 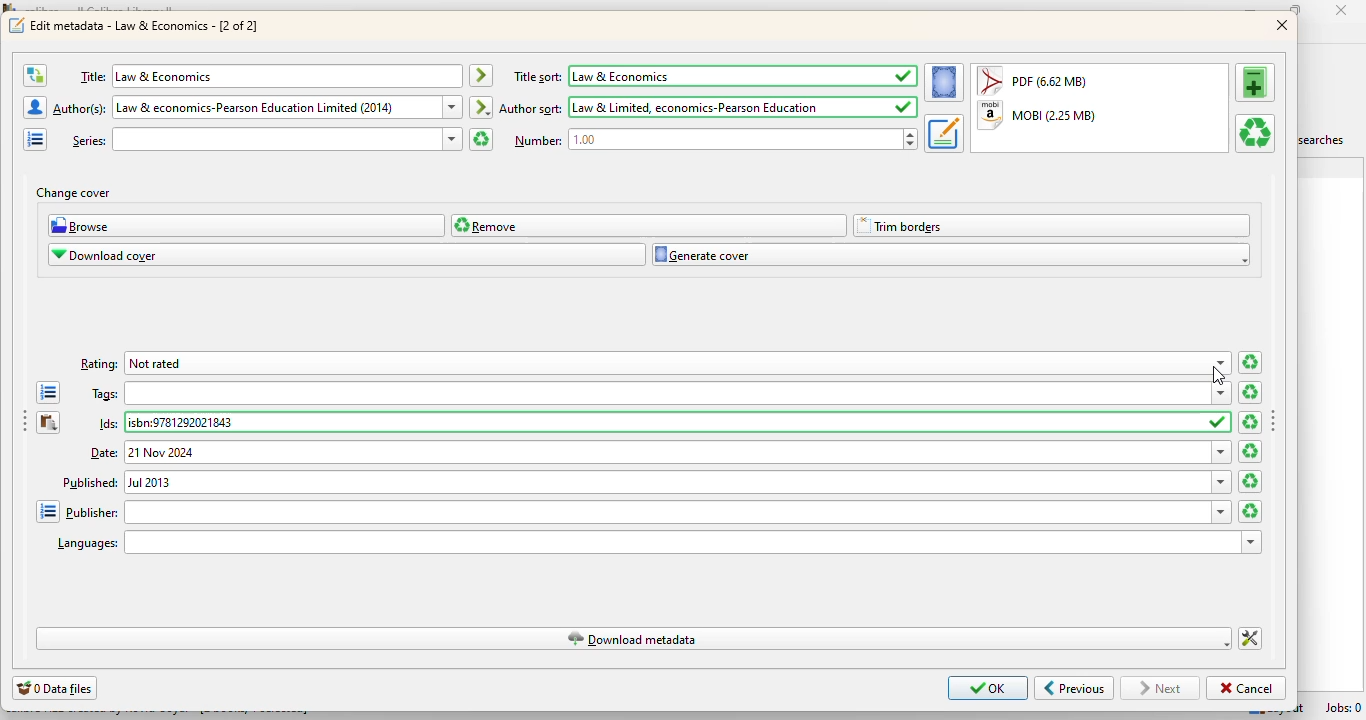 I want to click on download metadata, so click(x=634, y=638).